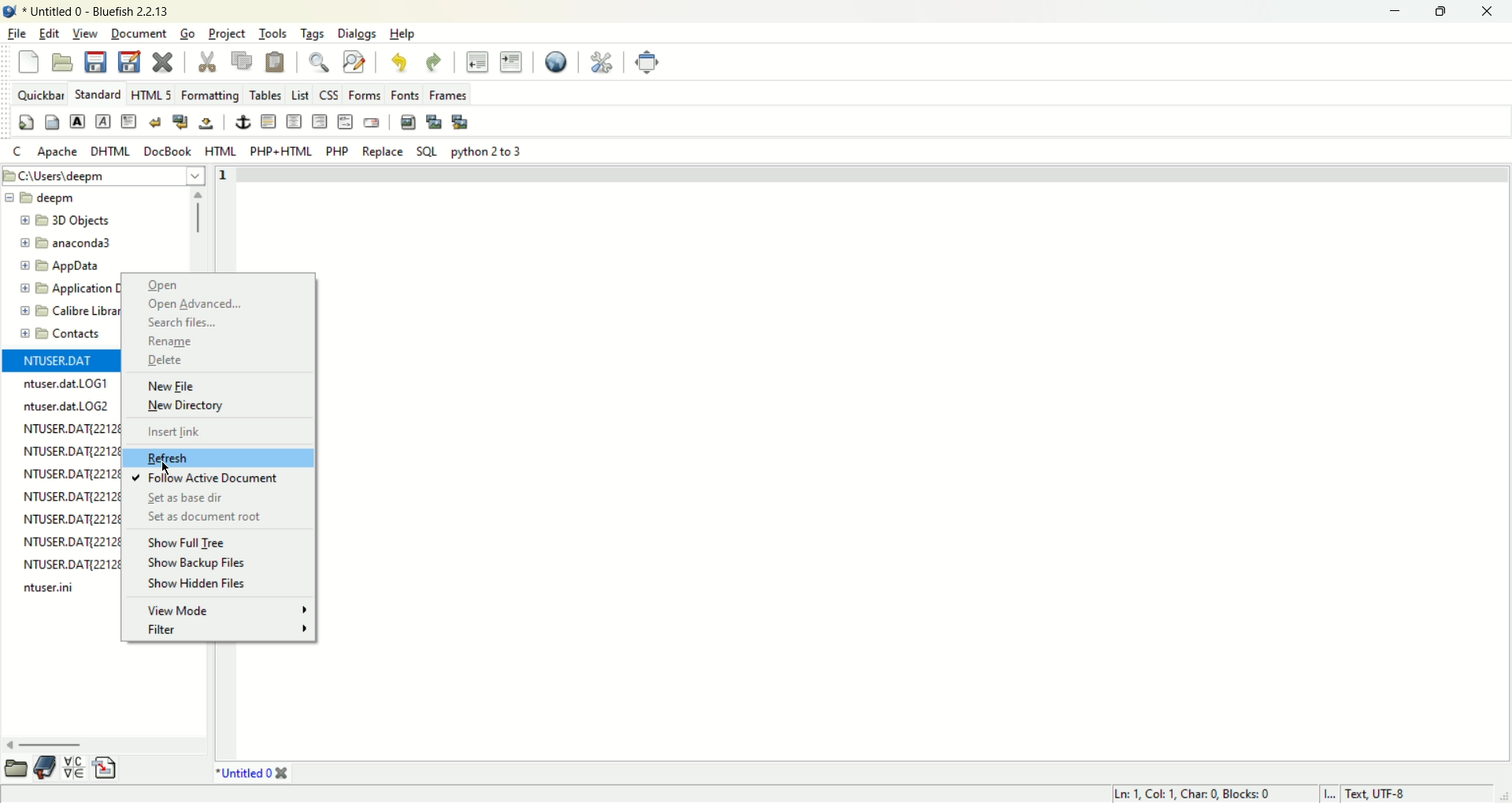  I want to click on view, so click(83, 33).